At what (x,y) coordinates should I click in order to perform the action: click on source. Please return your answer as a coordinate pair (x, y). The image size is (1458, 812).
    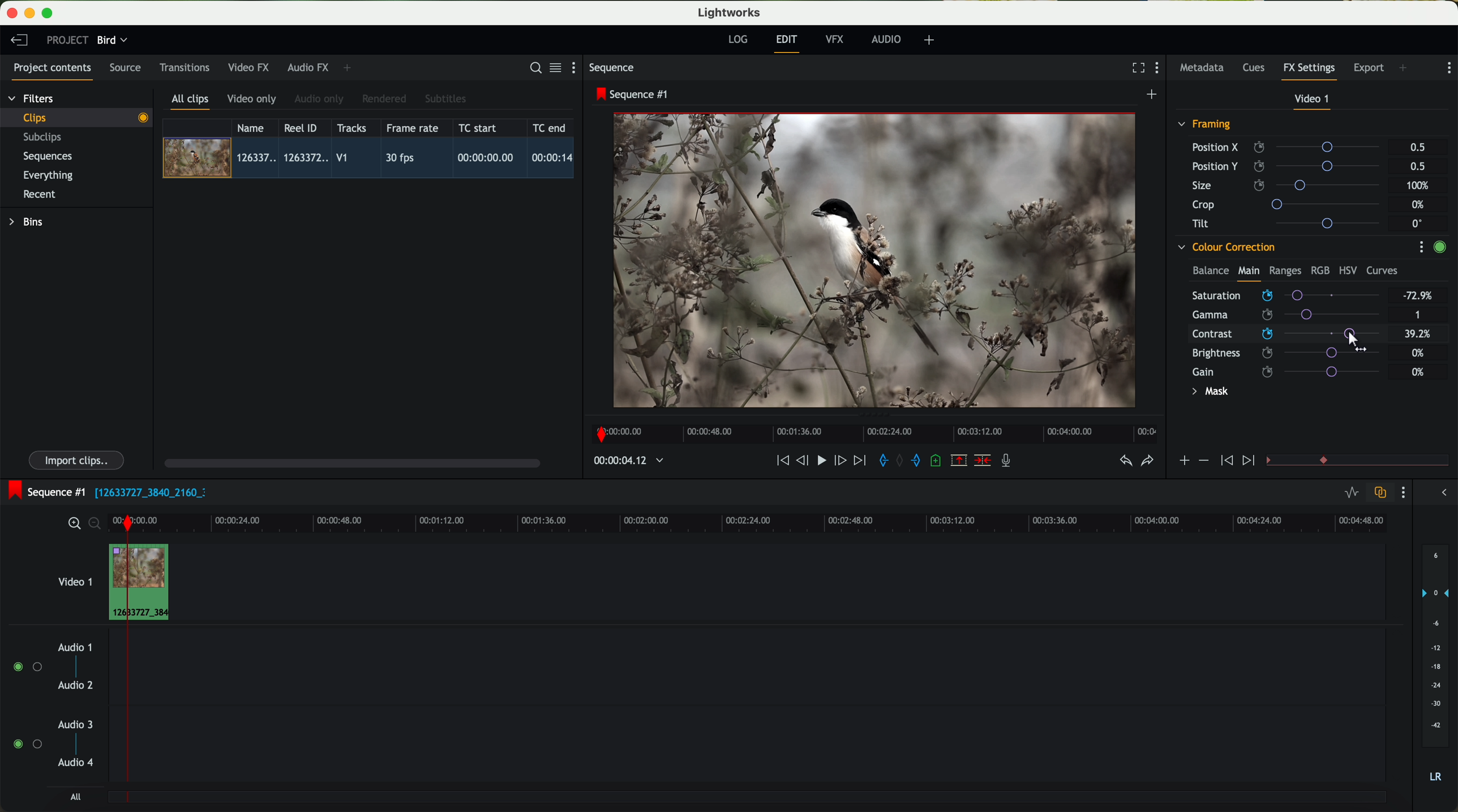
    Looking at the image, I should click on (125, 68).